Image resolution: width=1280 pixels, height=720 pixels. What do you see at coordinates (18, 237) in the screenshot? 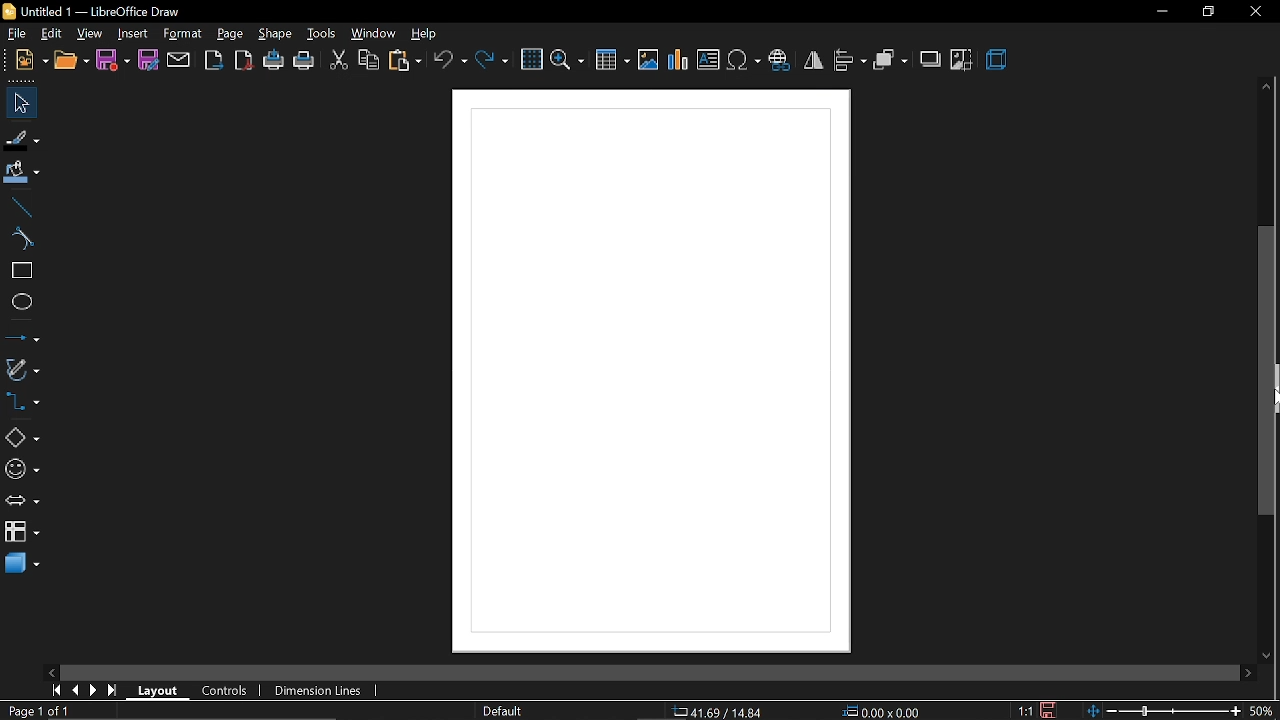
I see `curve` at bounding box center [18, 237].